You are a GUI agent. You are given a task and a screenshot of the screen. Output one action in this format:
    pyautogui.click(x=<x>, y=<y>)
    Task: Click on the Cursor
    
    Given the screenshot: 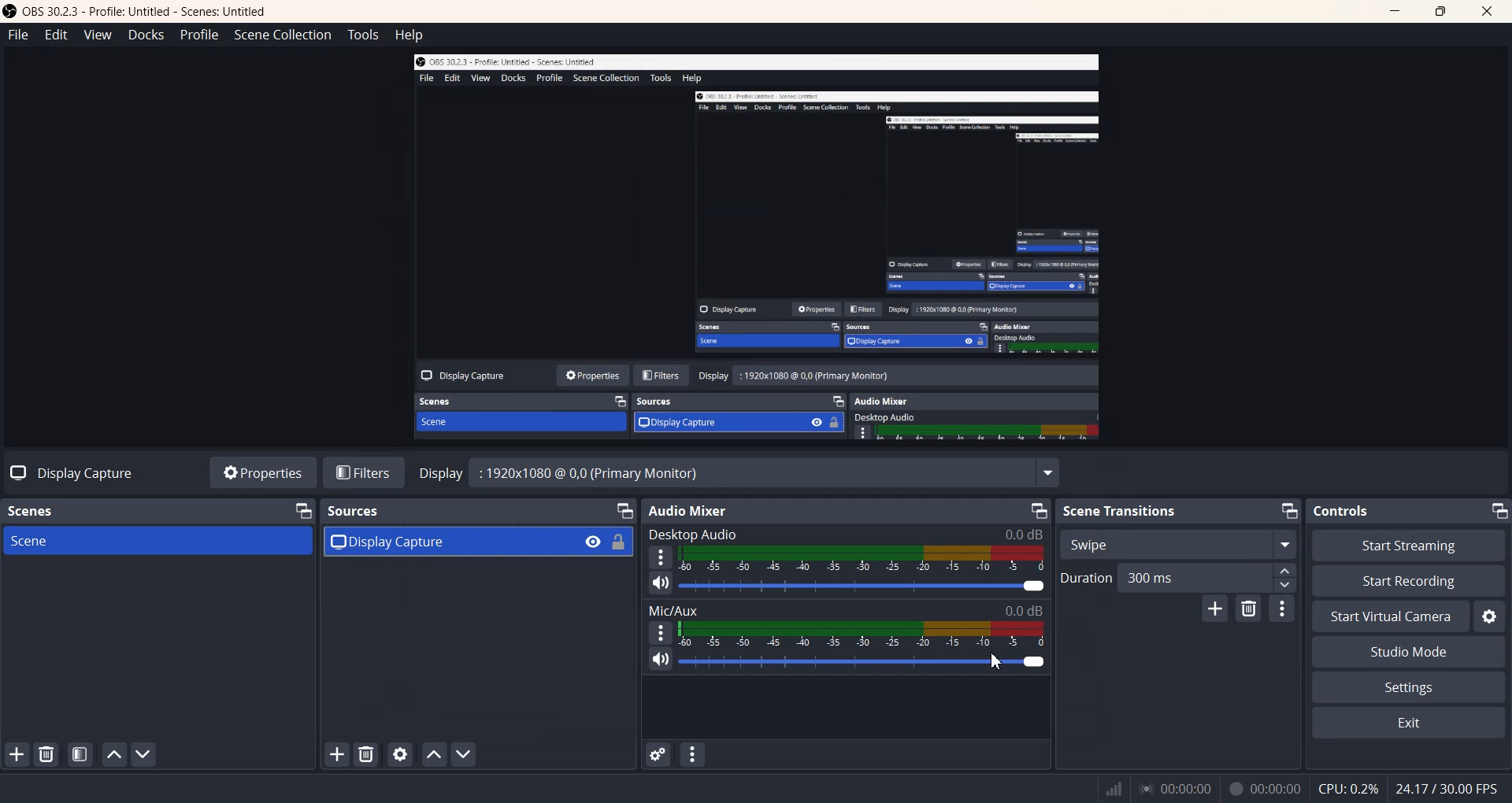 What is the action you would take?
    pyautogui.click(x=1001, y=662)
    